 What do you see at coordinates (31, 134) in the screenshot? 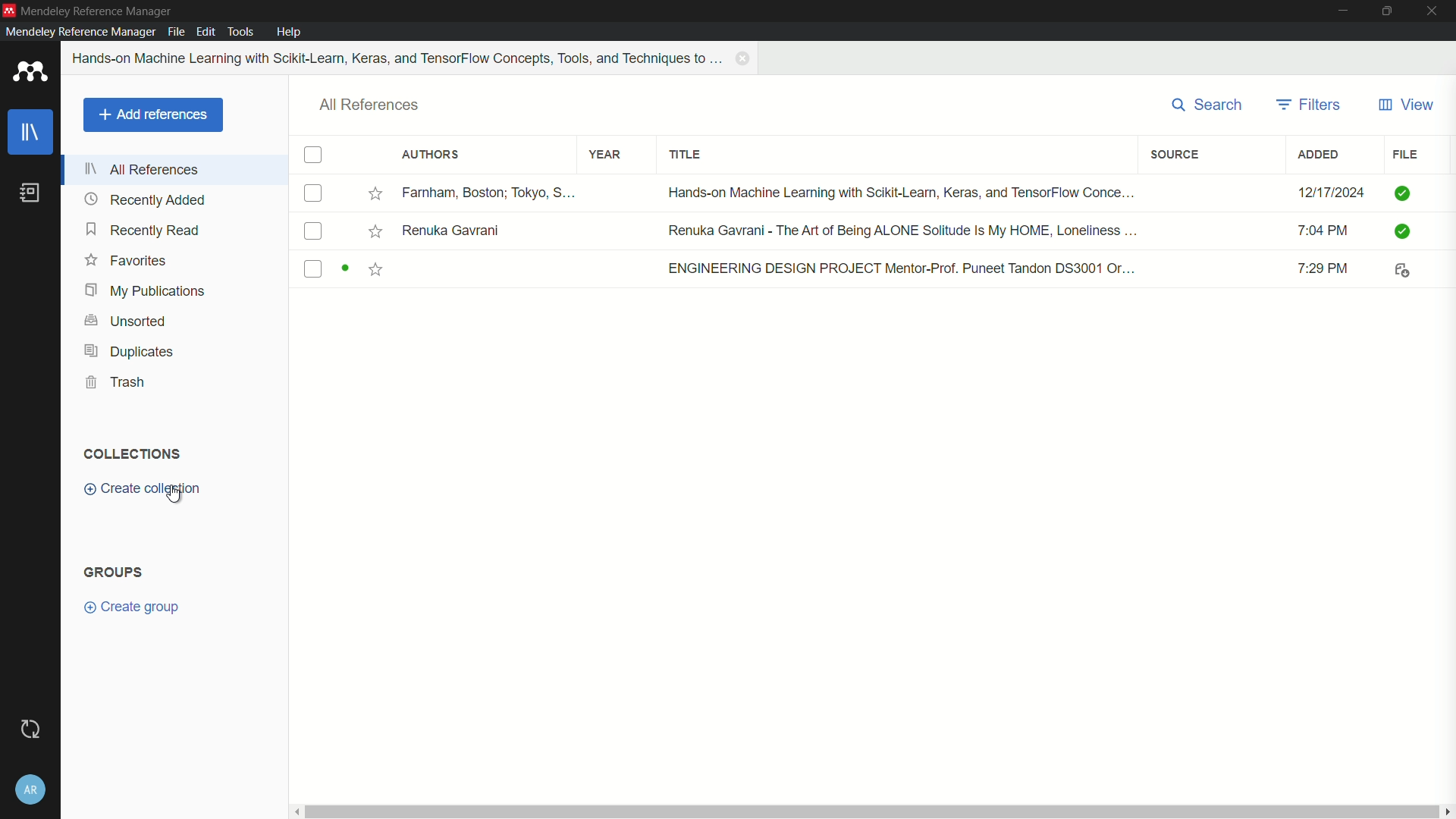
I see `library` at bounding box center [31, 134].